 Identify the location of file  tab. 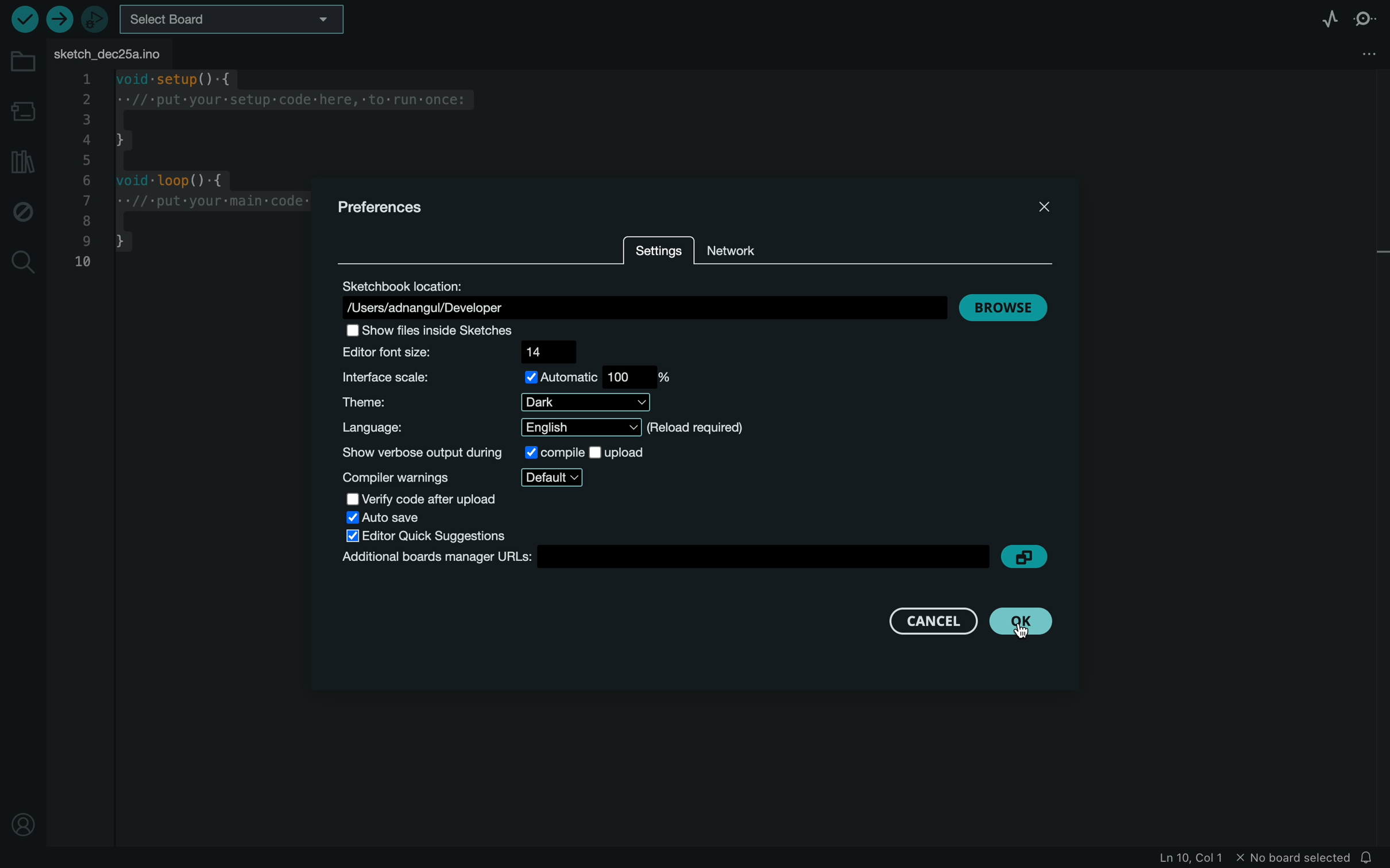
(115, 53).